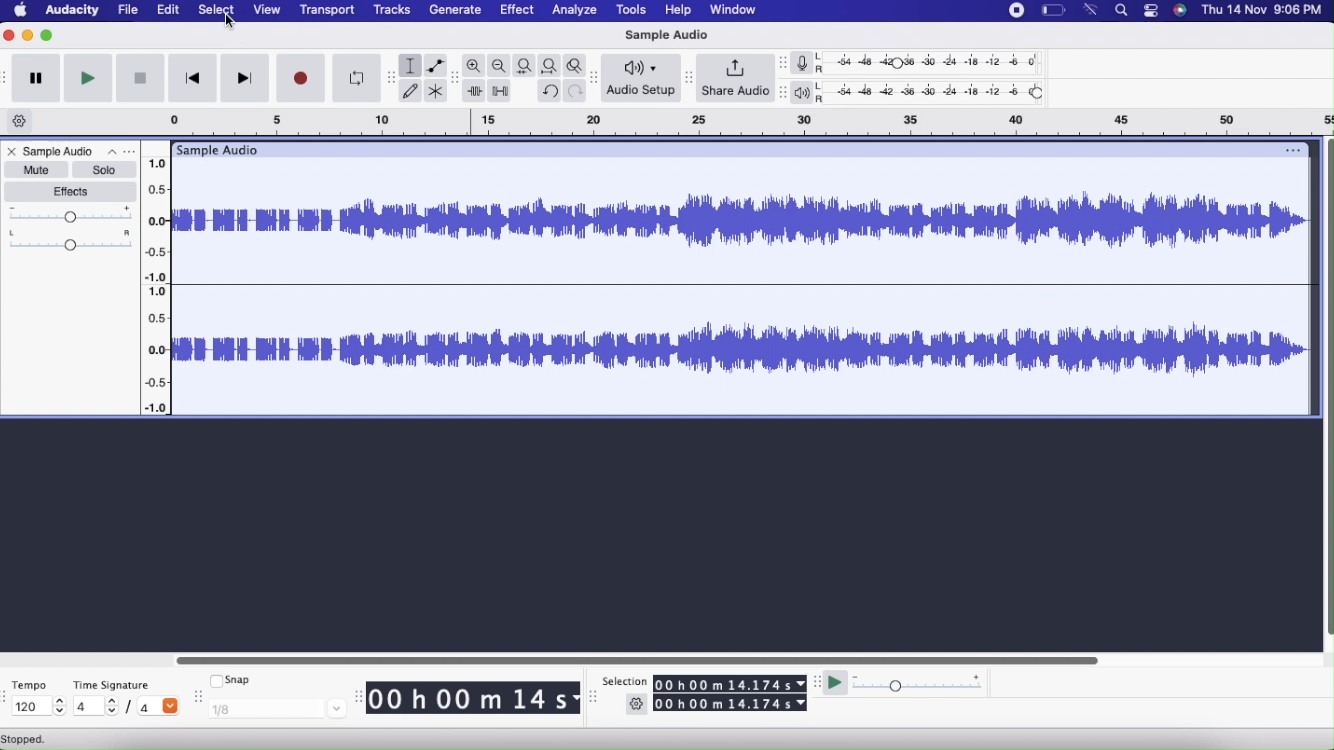  I want to click on Solo, so click(105, 171).